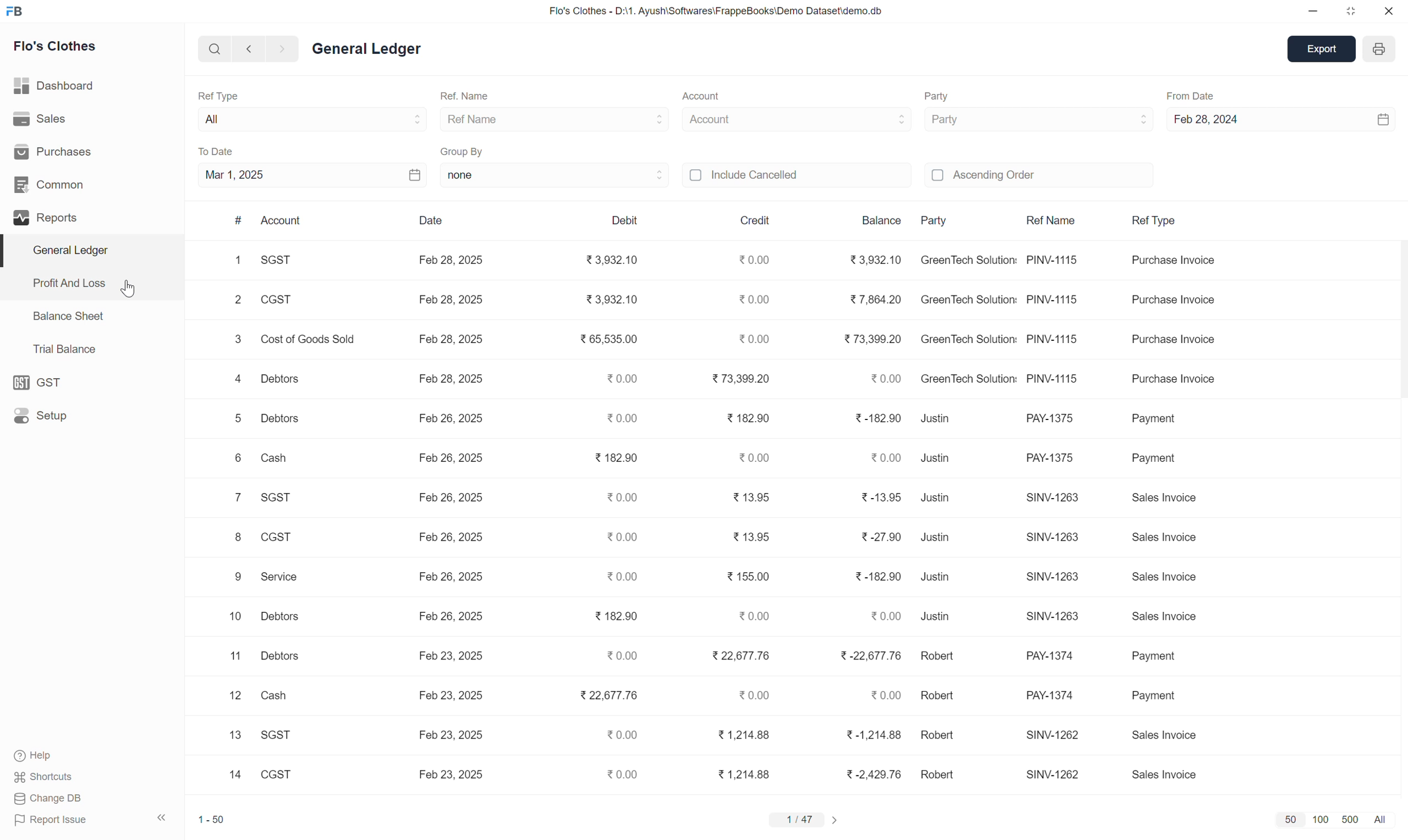 The height and width of the screenshot is (840, 1408). I want to click on PINV-1115, so click(1057, 378).